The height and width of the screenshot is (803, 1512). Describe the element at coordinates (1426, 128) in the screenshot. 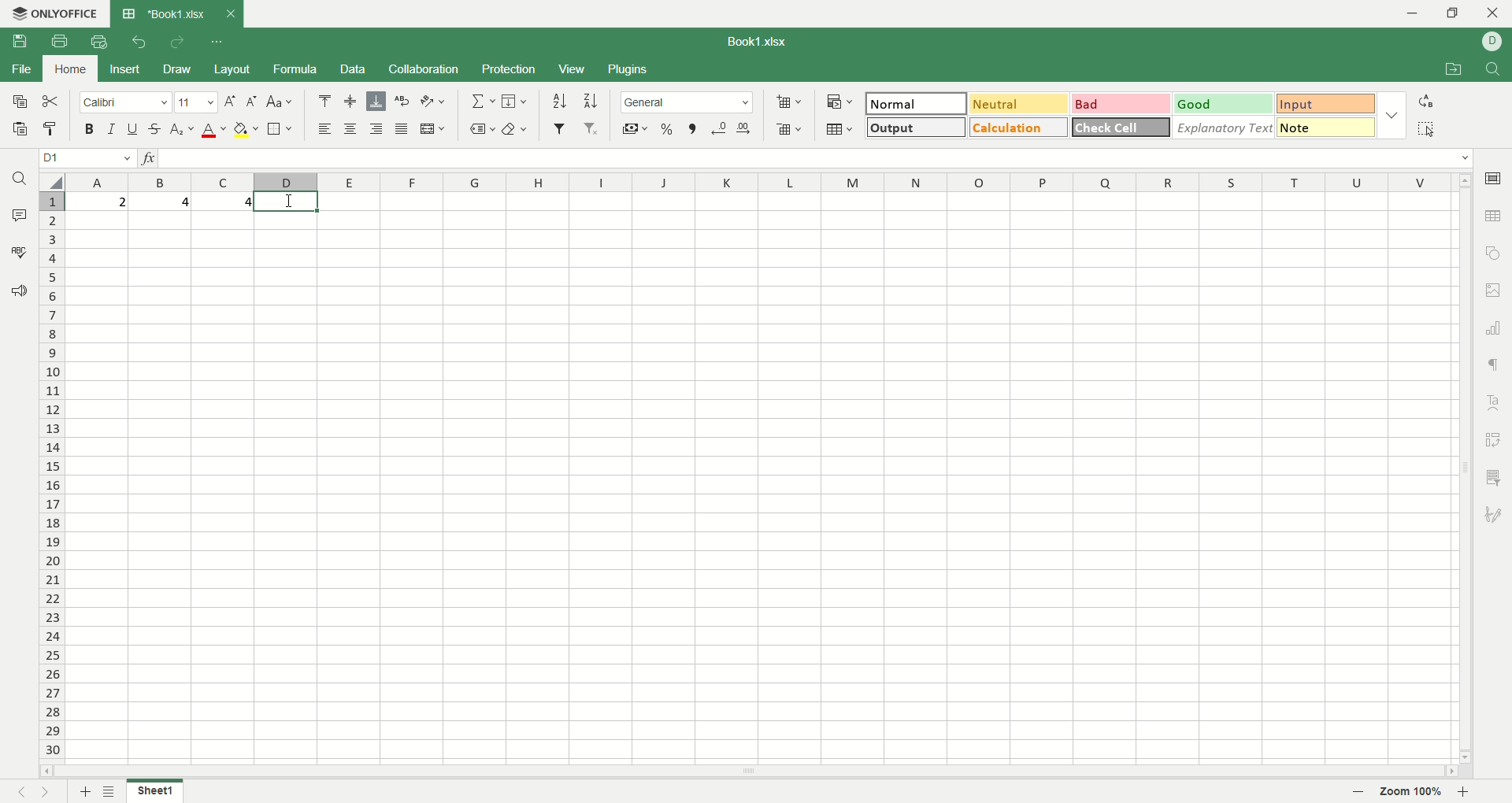

I see `select all` at that location.